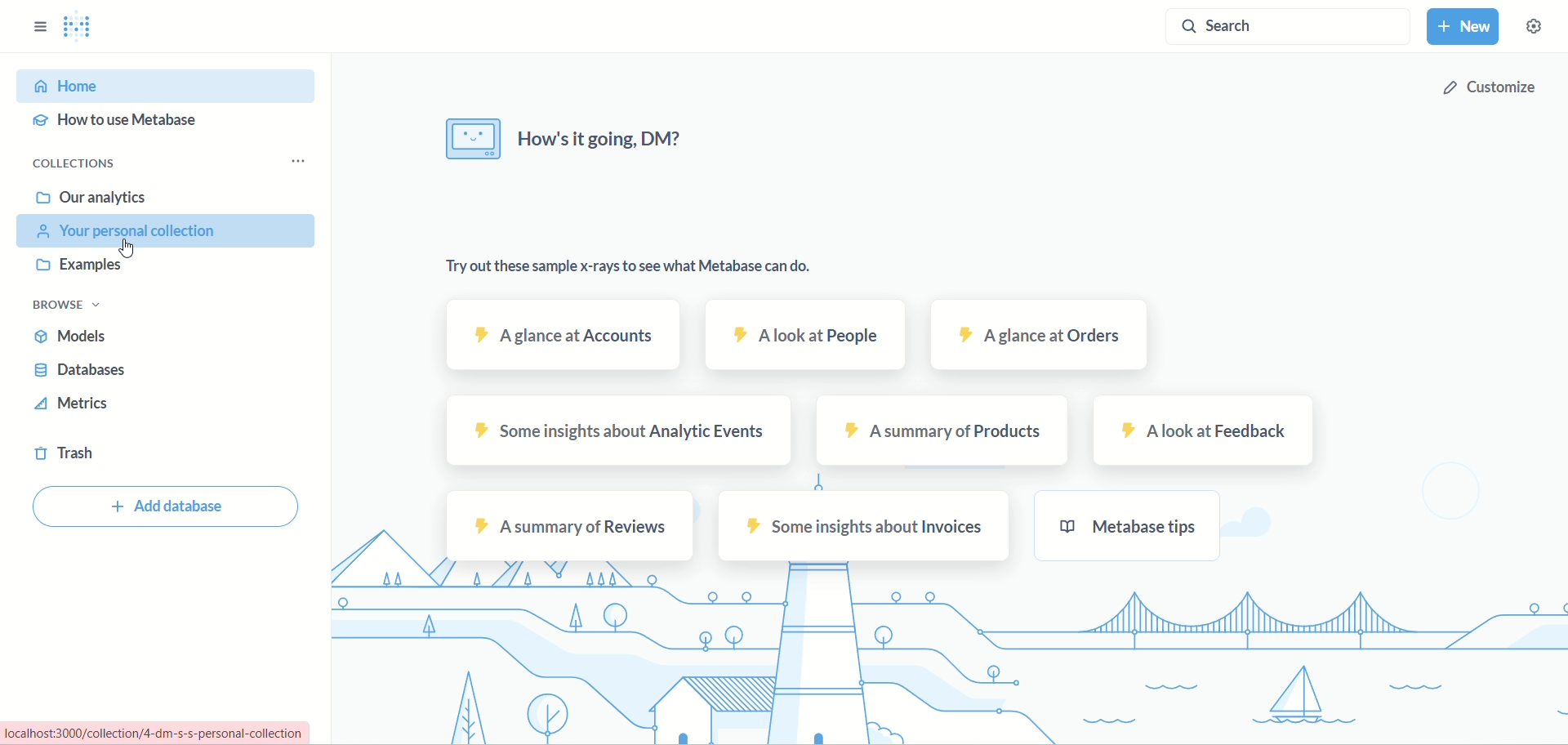 Image resolution: width=1568 pixels, height=745 pixels. I want to click on trash, so click(69, 457).